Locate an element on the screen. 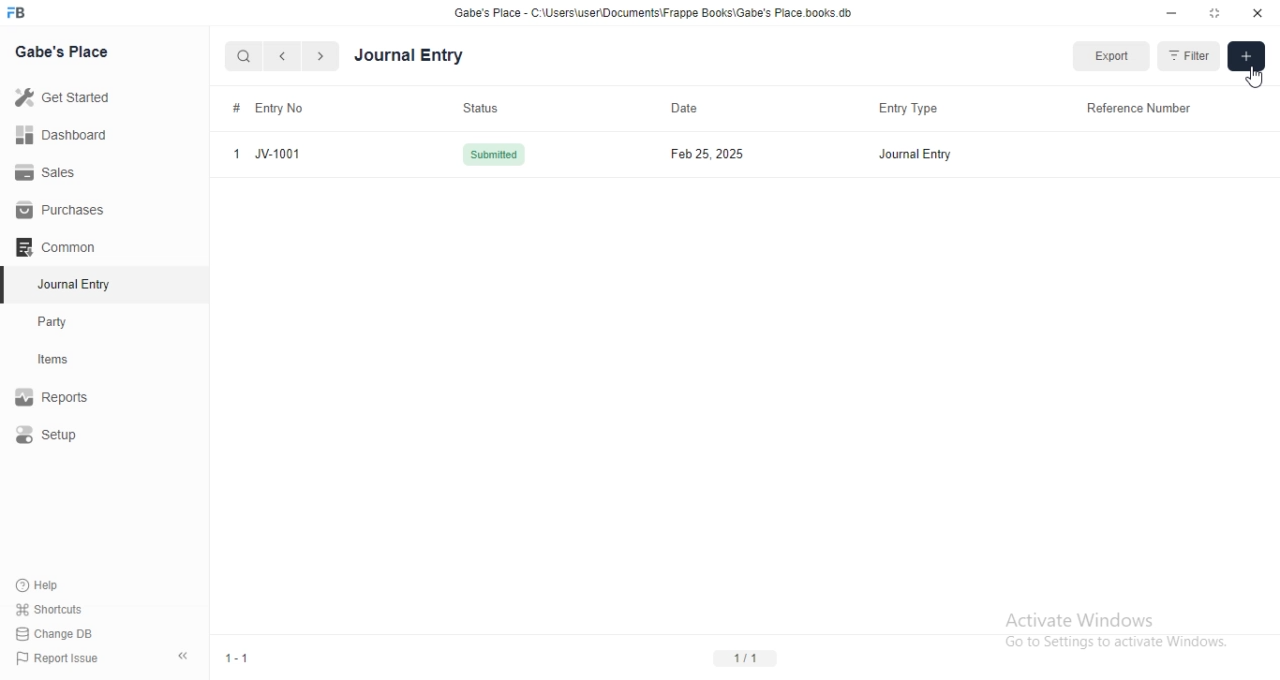  Dashboard is located at coordinates (61, 138).